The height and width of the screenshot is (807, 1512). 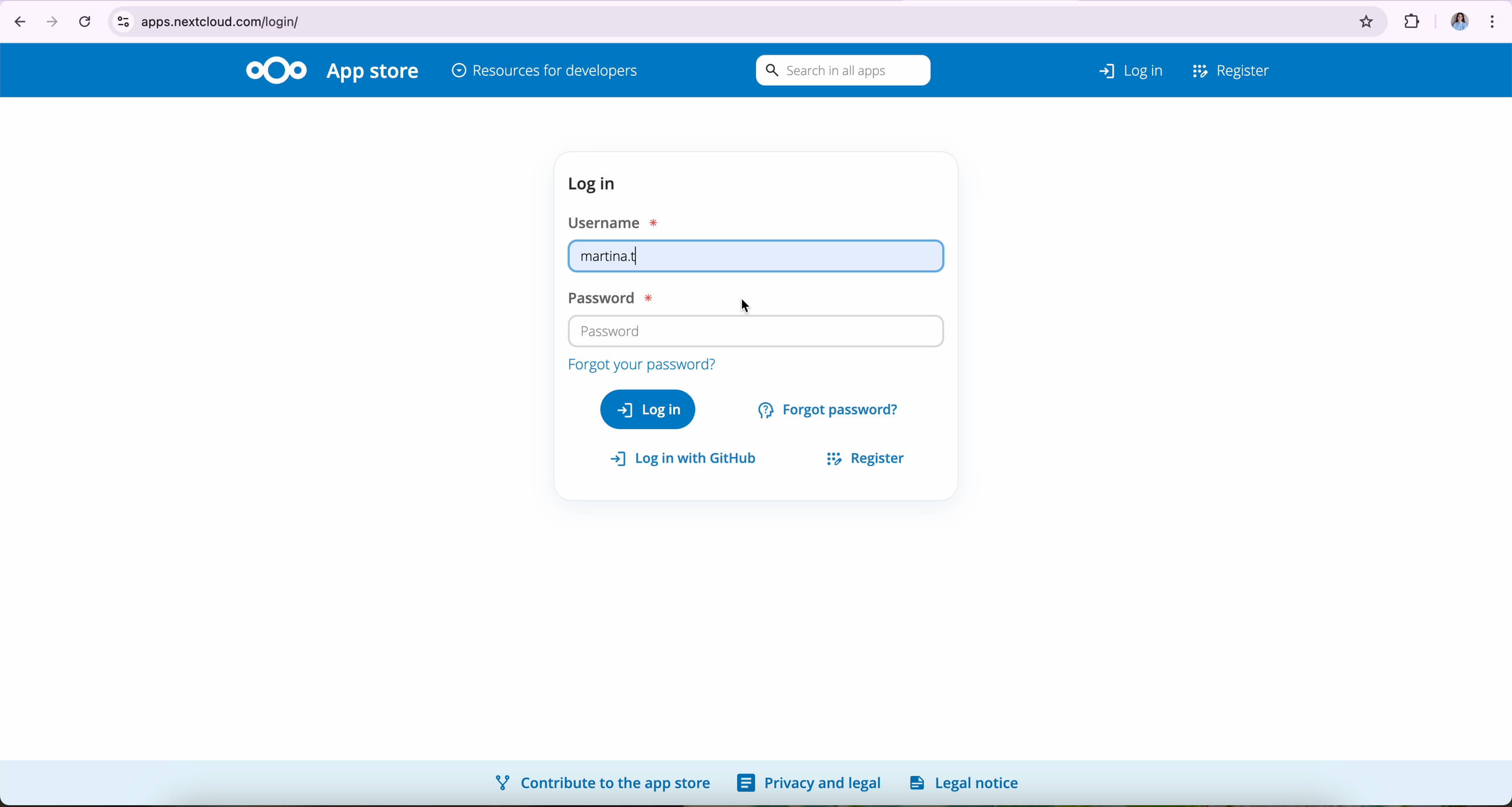 I want to click on log in , so click(x=648, y=408).